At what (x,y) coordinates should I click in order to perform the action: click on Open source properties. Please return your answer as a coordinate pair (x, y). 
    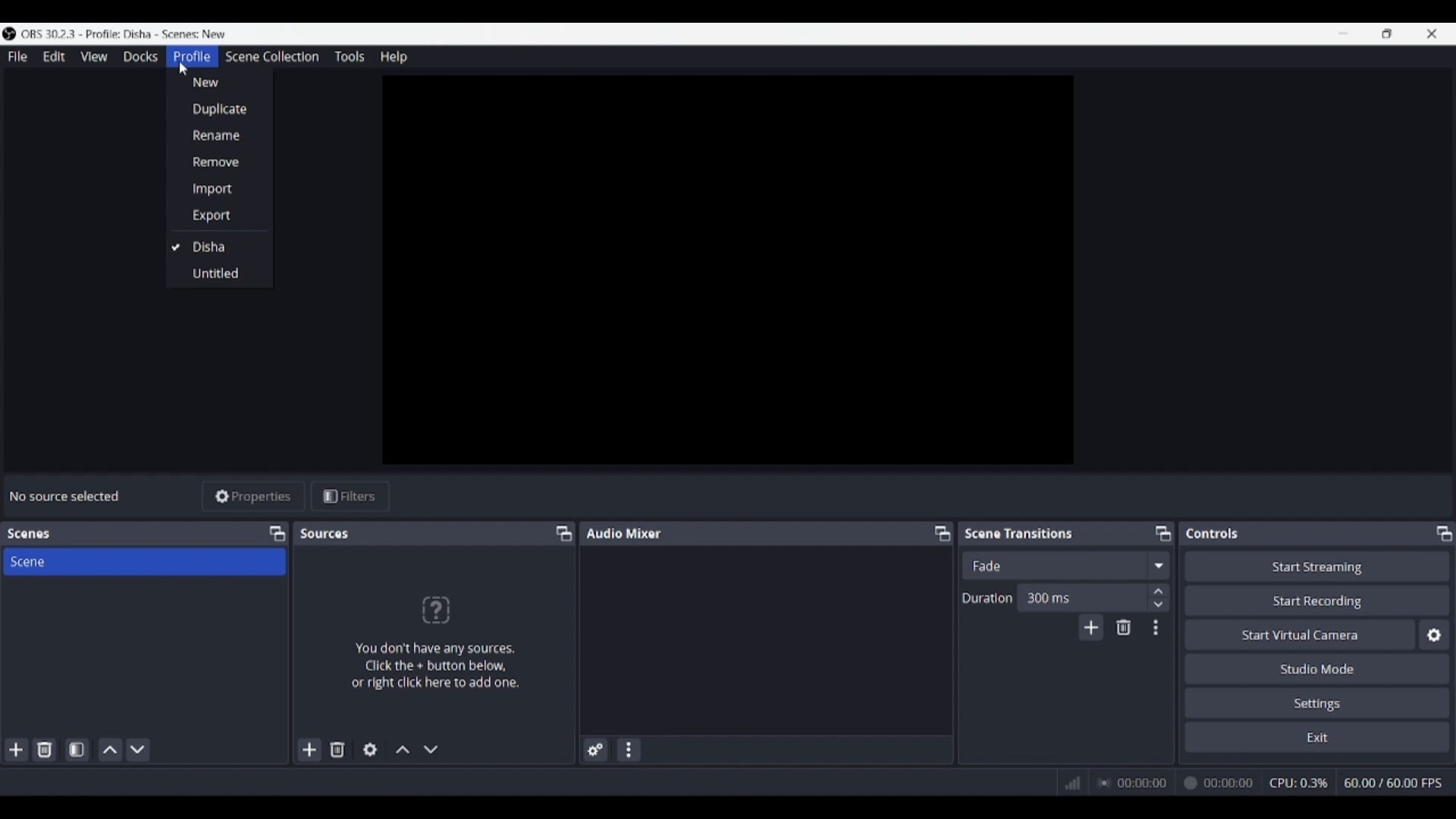
    Looking at the image, I should click on (370, 750).